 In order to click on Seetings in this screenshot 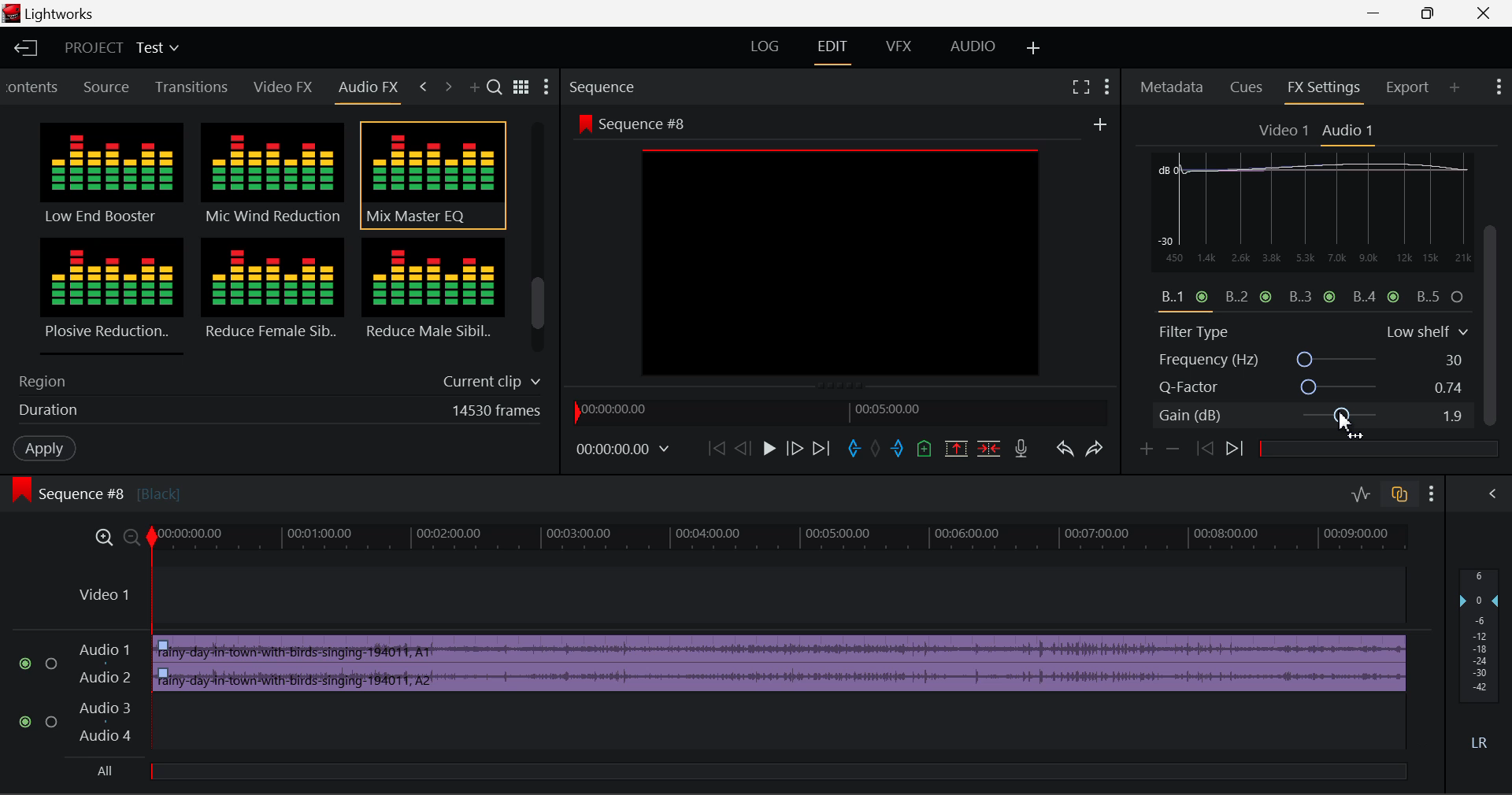, I will do `click(1470, 167)`.